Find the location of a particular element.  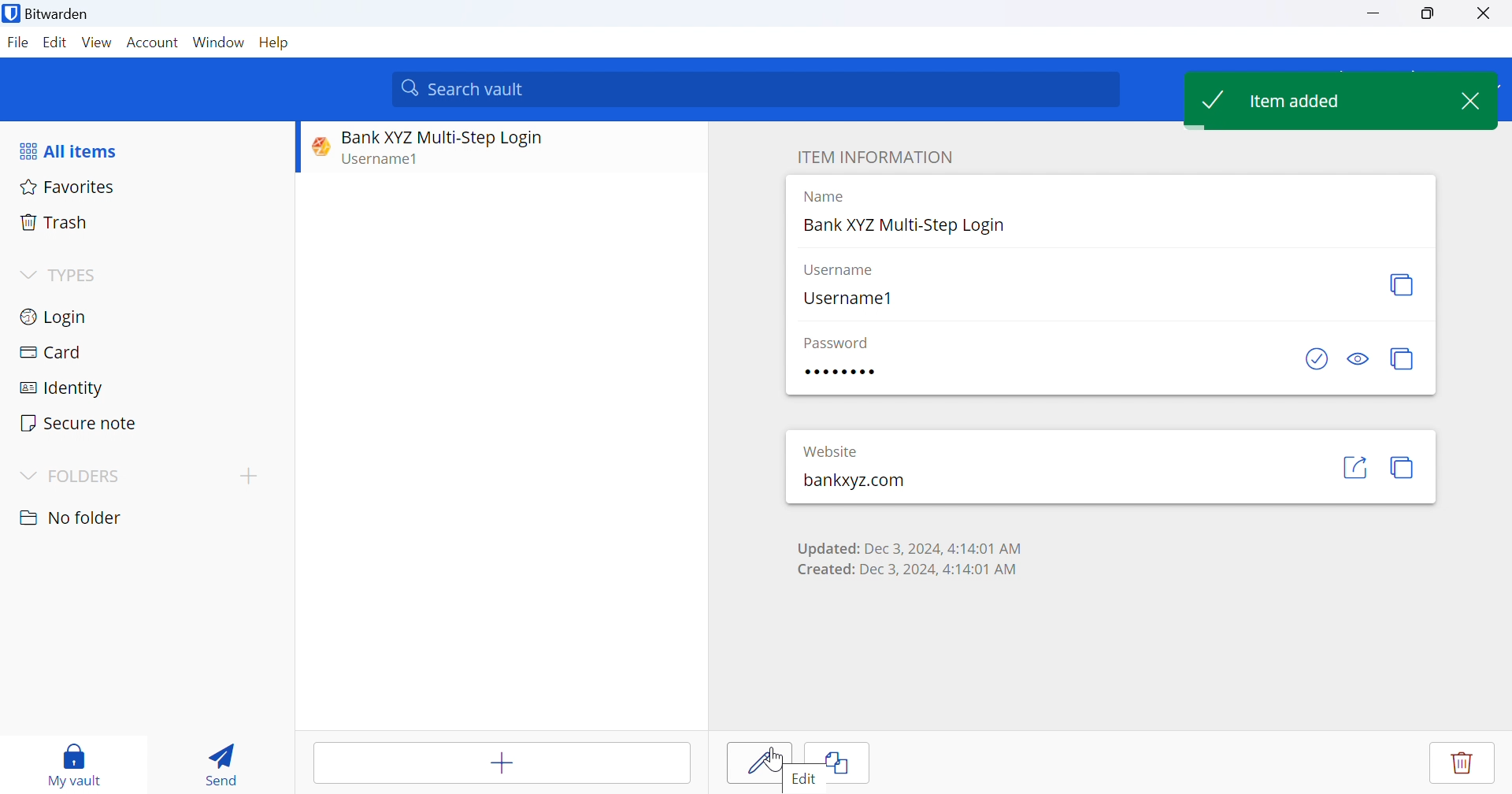

Delete is located at coordinates (1461, 766).